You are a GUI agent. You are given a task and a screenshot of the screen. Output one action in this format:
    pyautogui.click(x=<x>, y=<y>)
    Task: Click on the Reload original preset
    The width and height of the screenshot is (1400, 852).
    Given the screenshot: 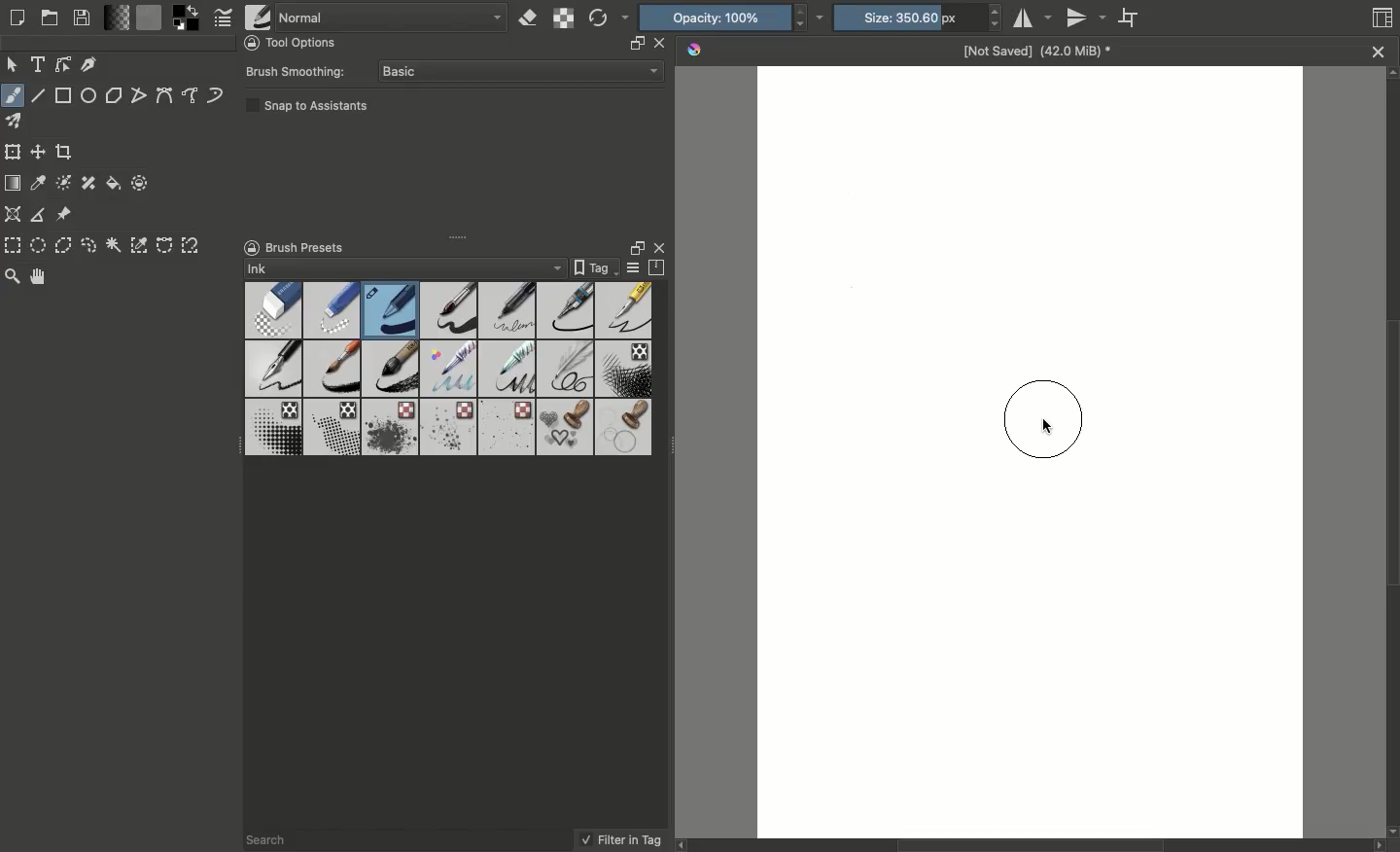 What is the action you would take?
    pyautogui.click(x=608, y=19)
    